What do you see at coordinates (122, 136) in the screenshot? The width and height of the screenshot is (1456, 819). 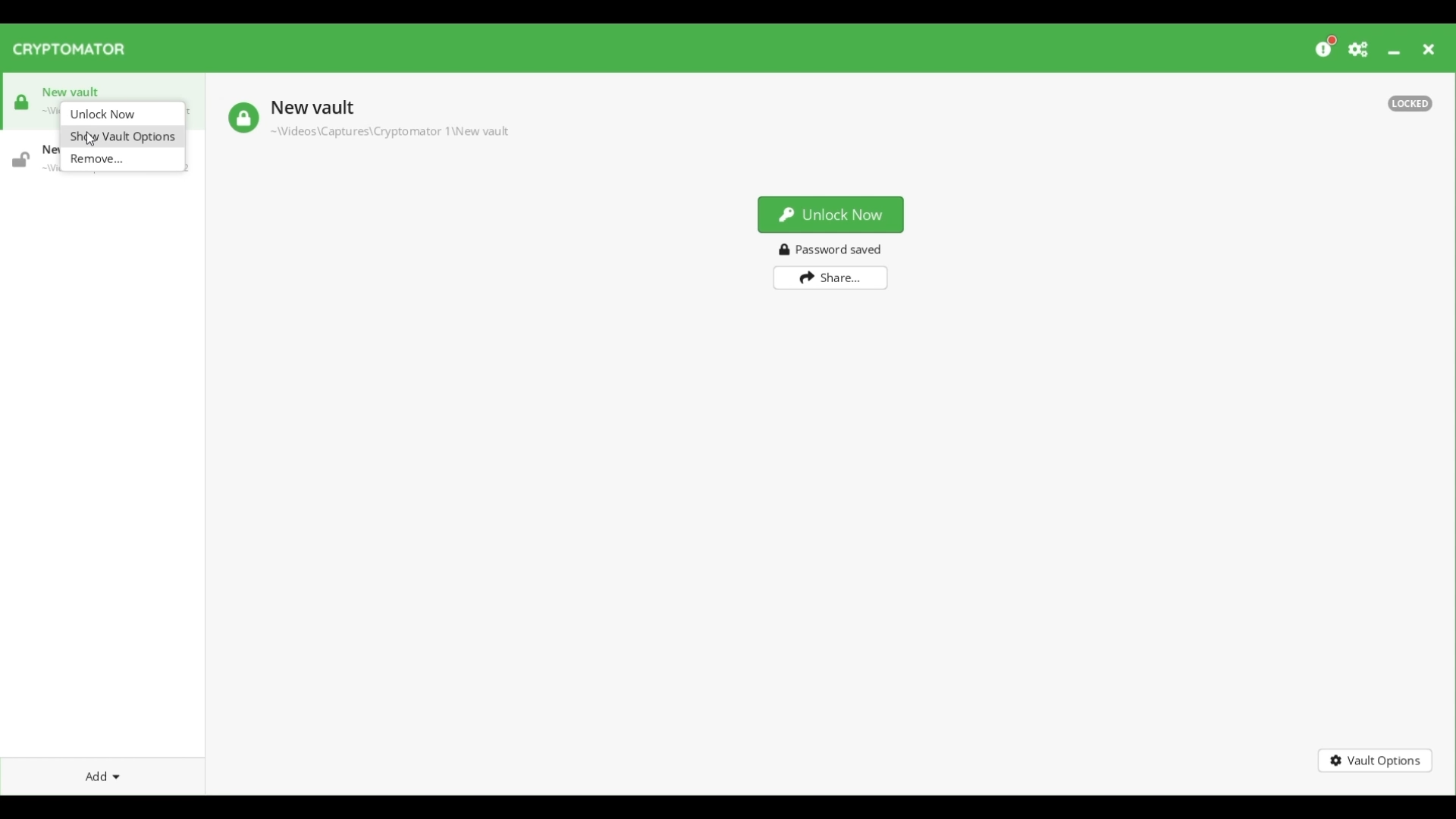 I see `Show vault options` at bounding box center [122, 136].